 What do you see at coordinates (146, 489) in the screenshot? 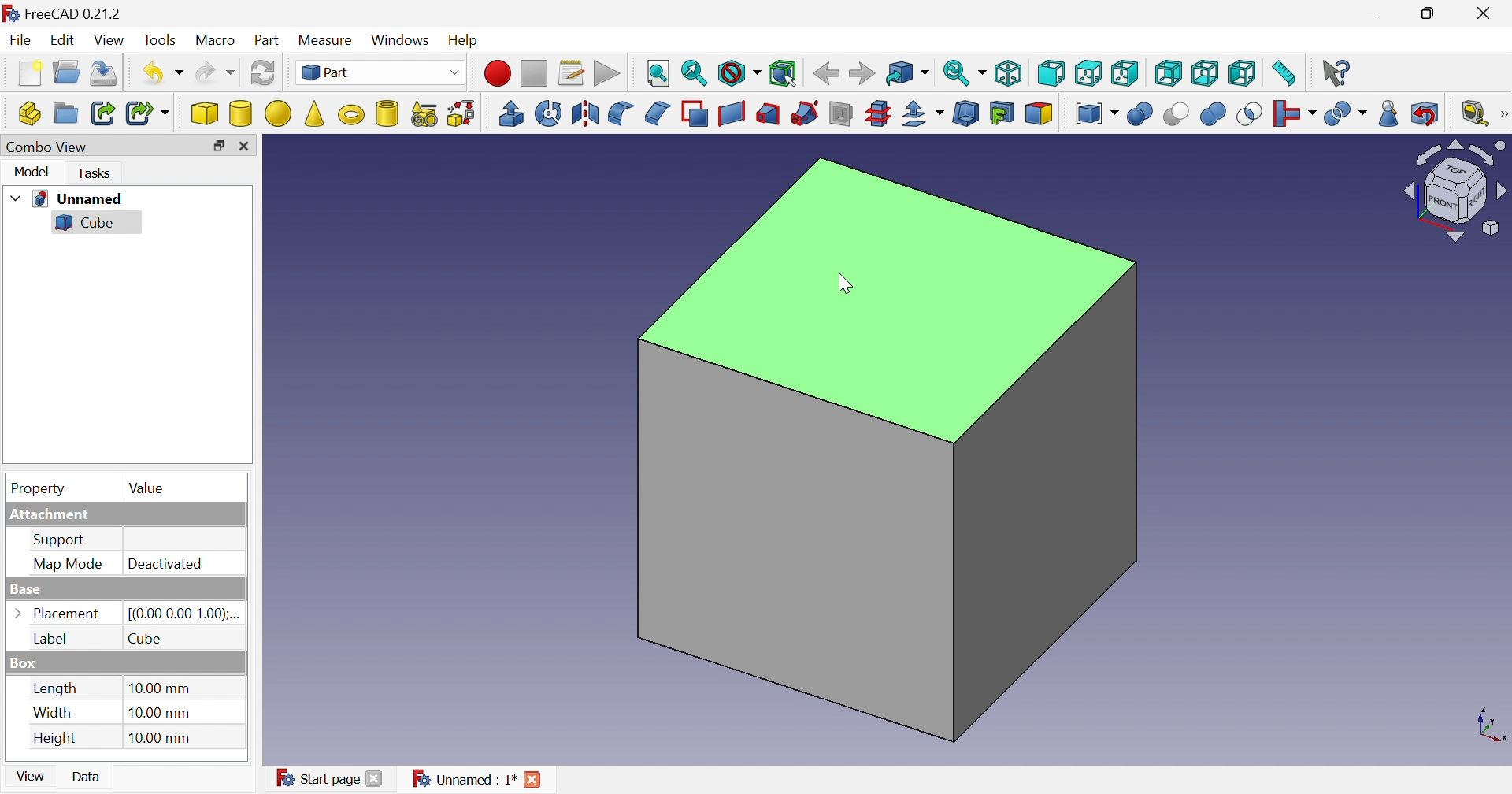
I see `Value` at bounding box center [146, 489].